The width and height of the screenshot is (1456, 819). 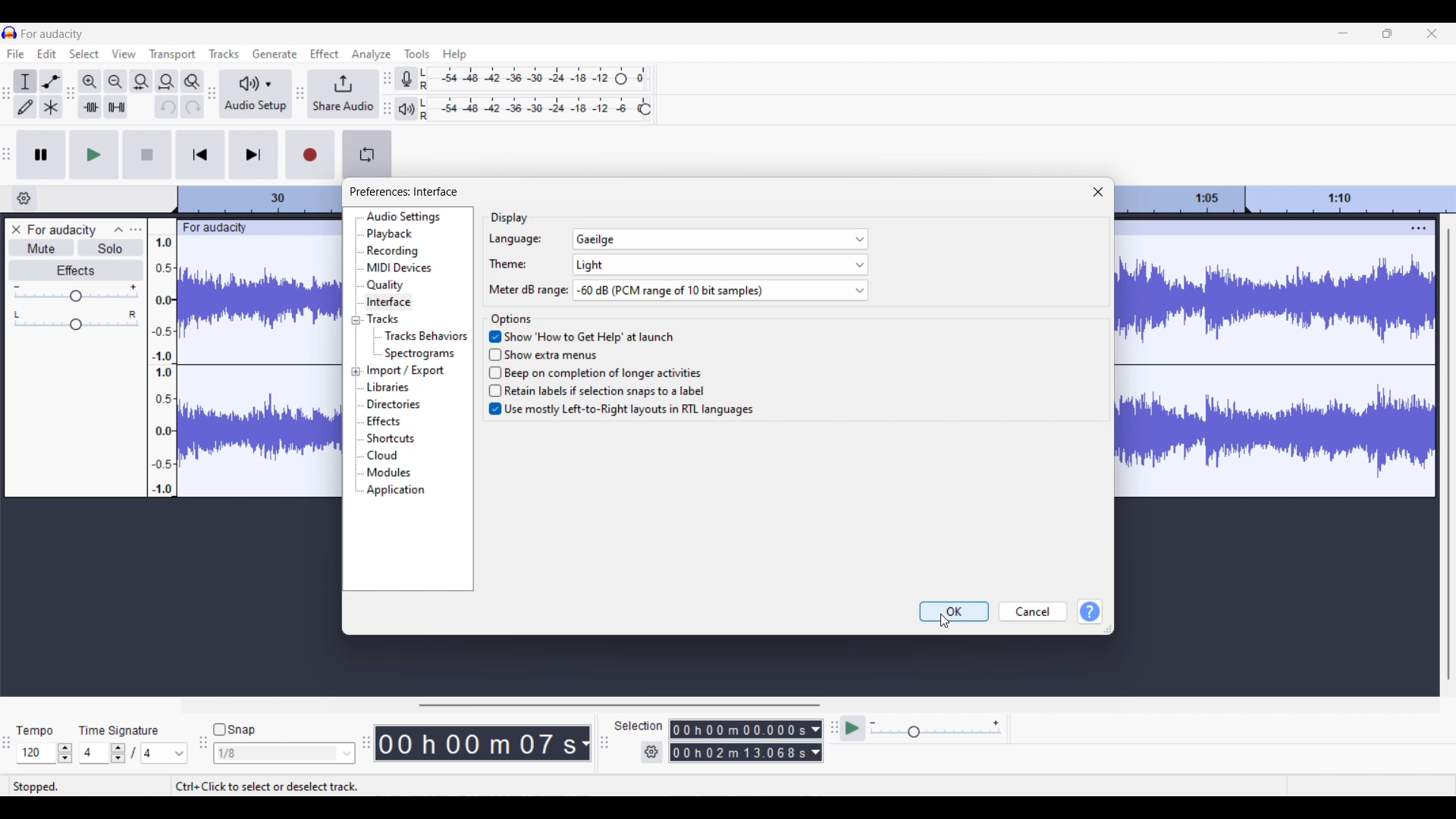 I want to click on Playback, so click(x=391, y=234).